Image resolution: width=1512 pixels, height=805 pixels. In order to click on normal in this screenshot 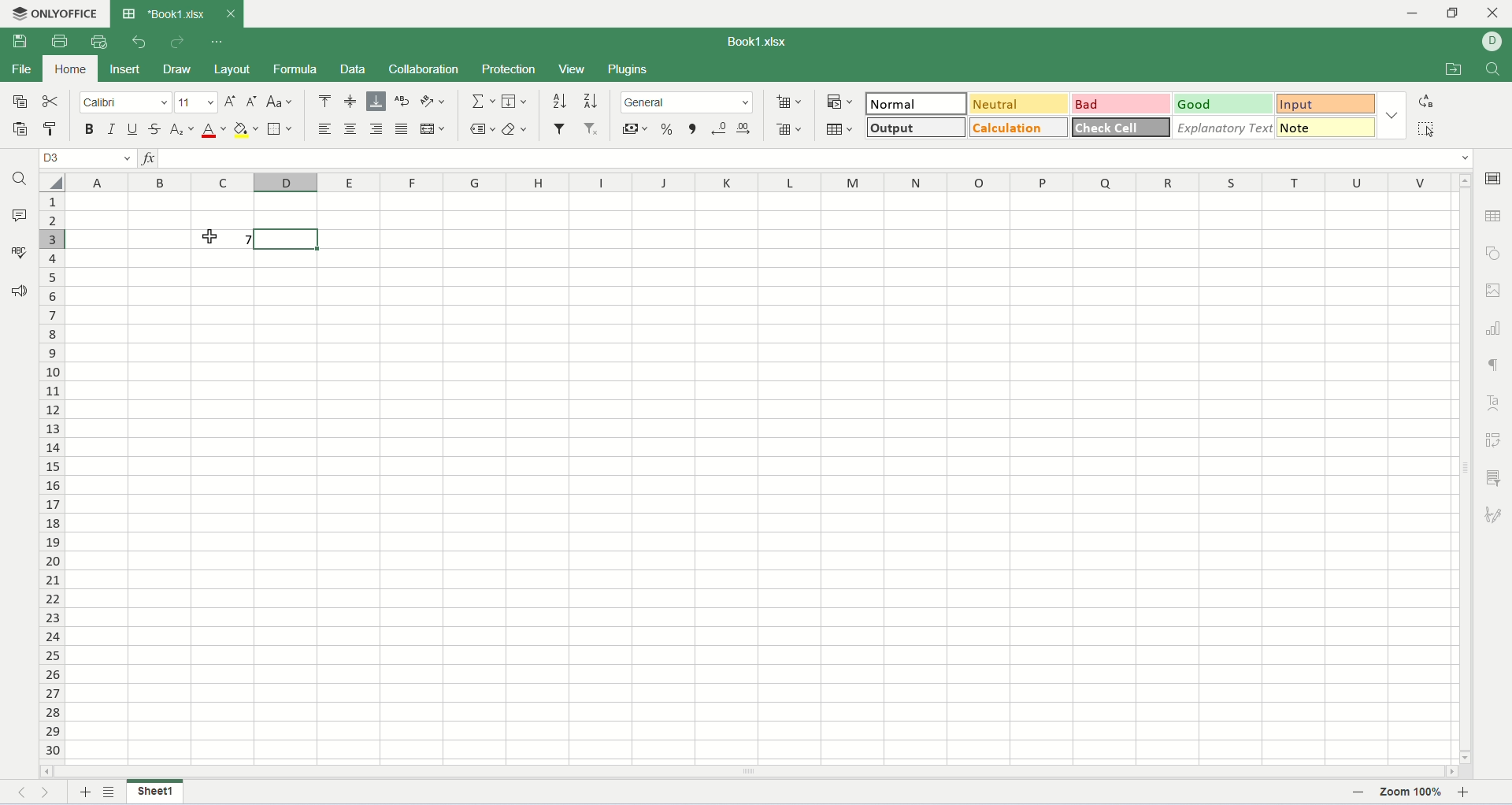, I will do `click(917, 105)`.